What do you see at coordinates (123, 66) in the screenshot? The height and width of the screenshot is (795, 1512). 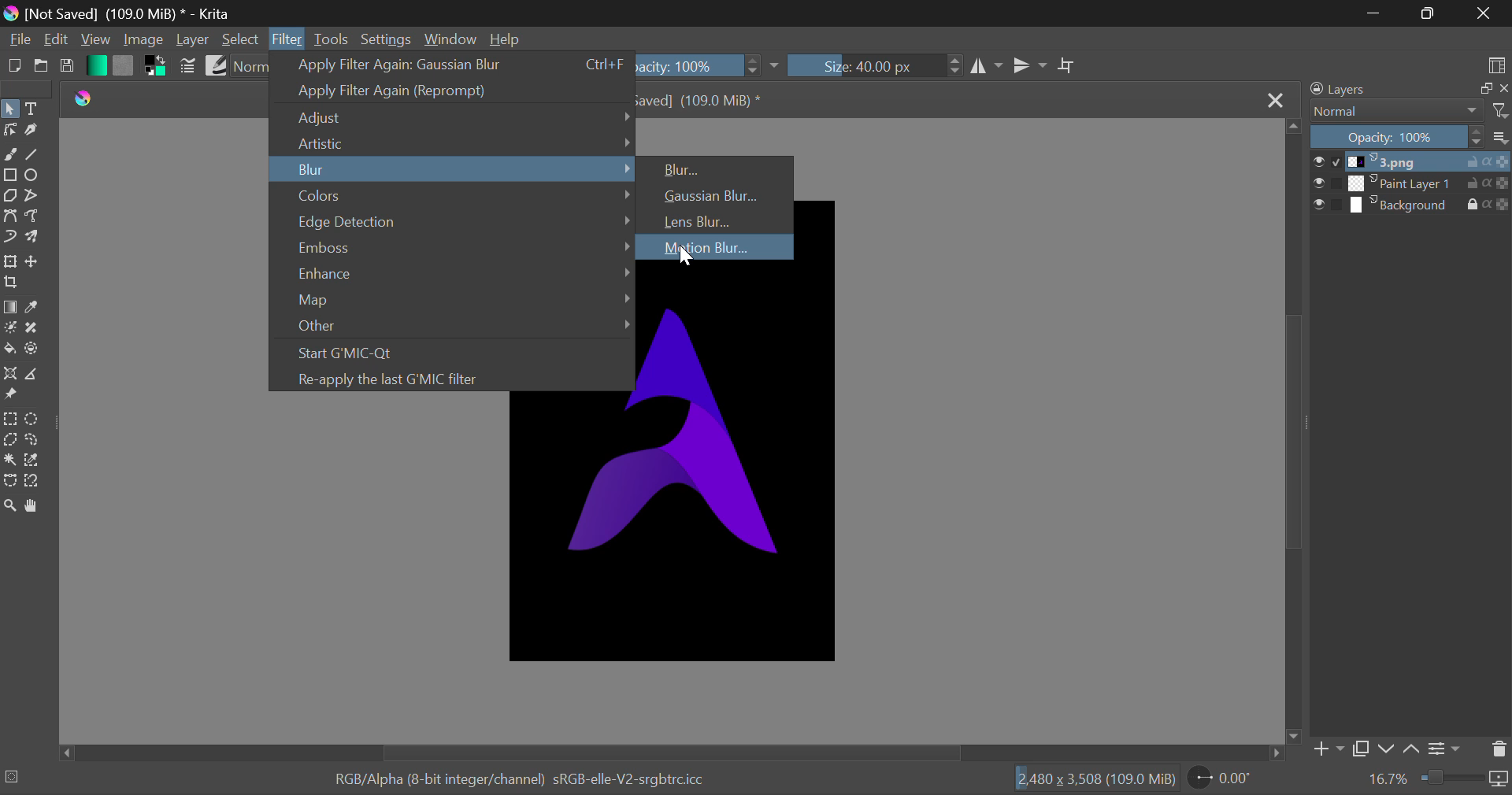 I see `Pattern` at bounding box center [123, 66].